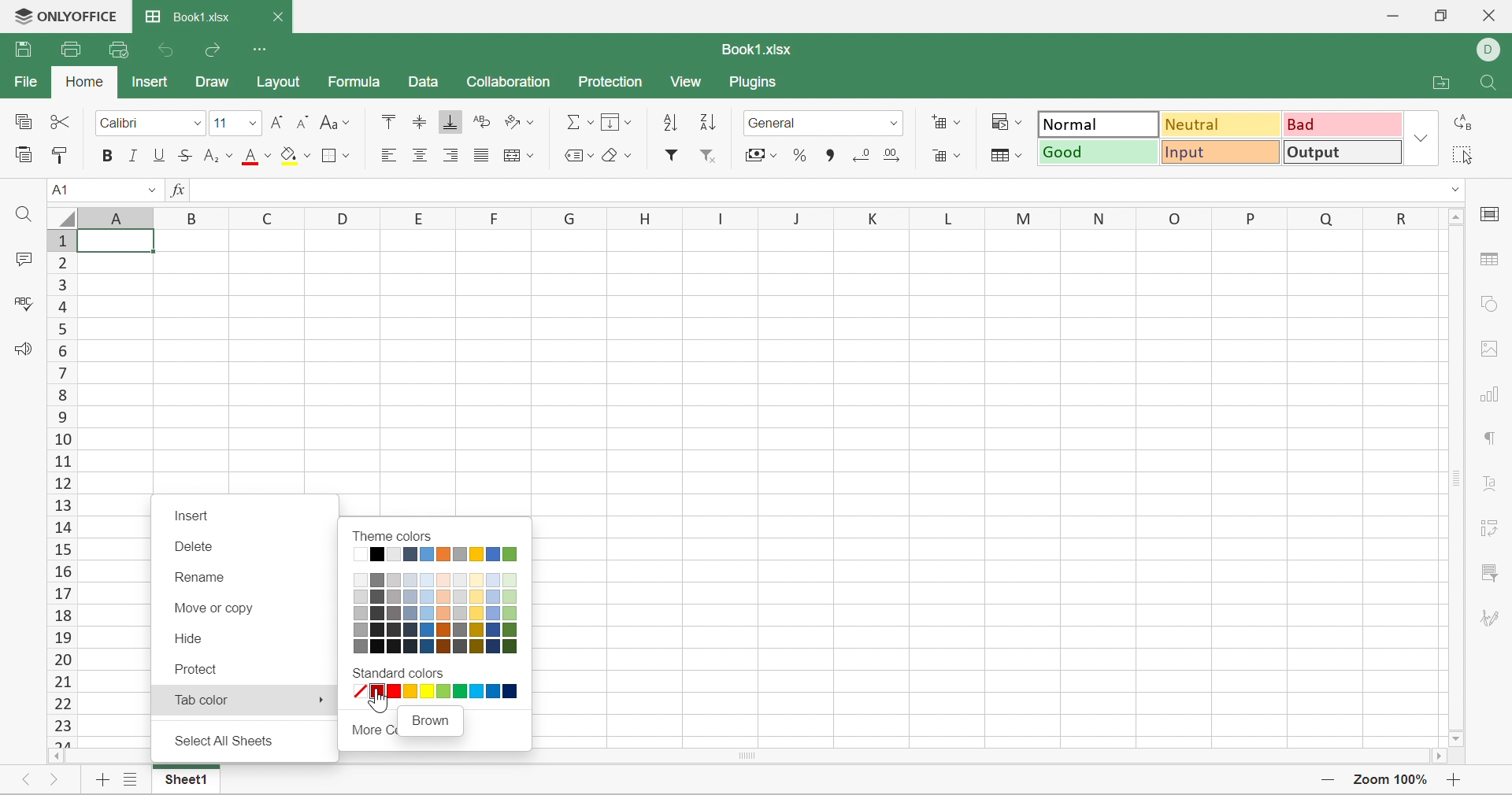  I want to click on Comments, so click(20, 258).